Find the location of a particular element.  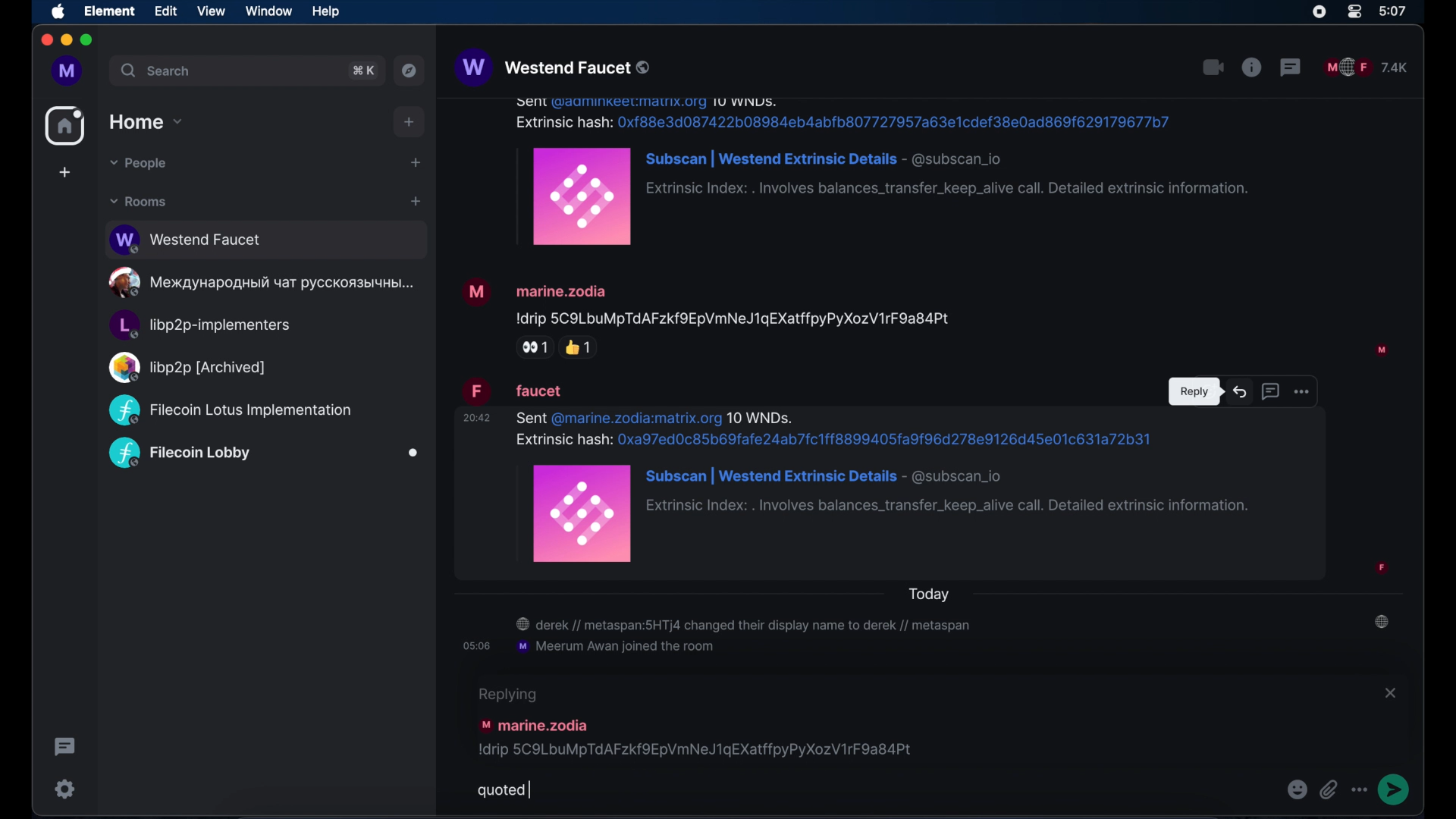

more options is located at coordinates (1361, 790).